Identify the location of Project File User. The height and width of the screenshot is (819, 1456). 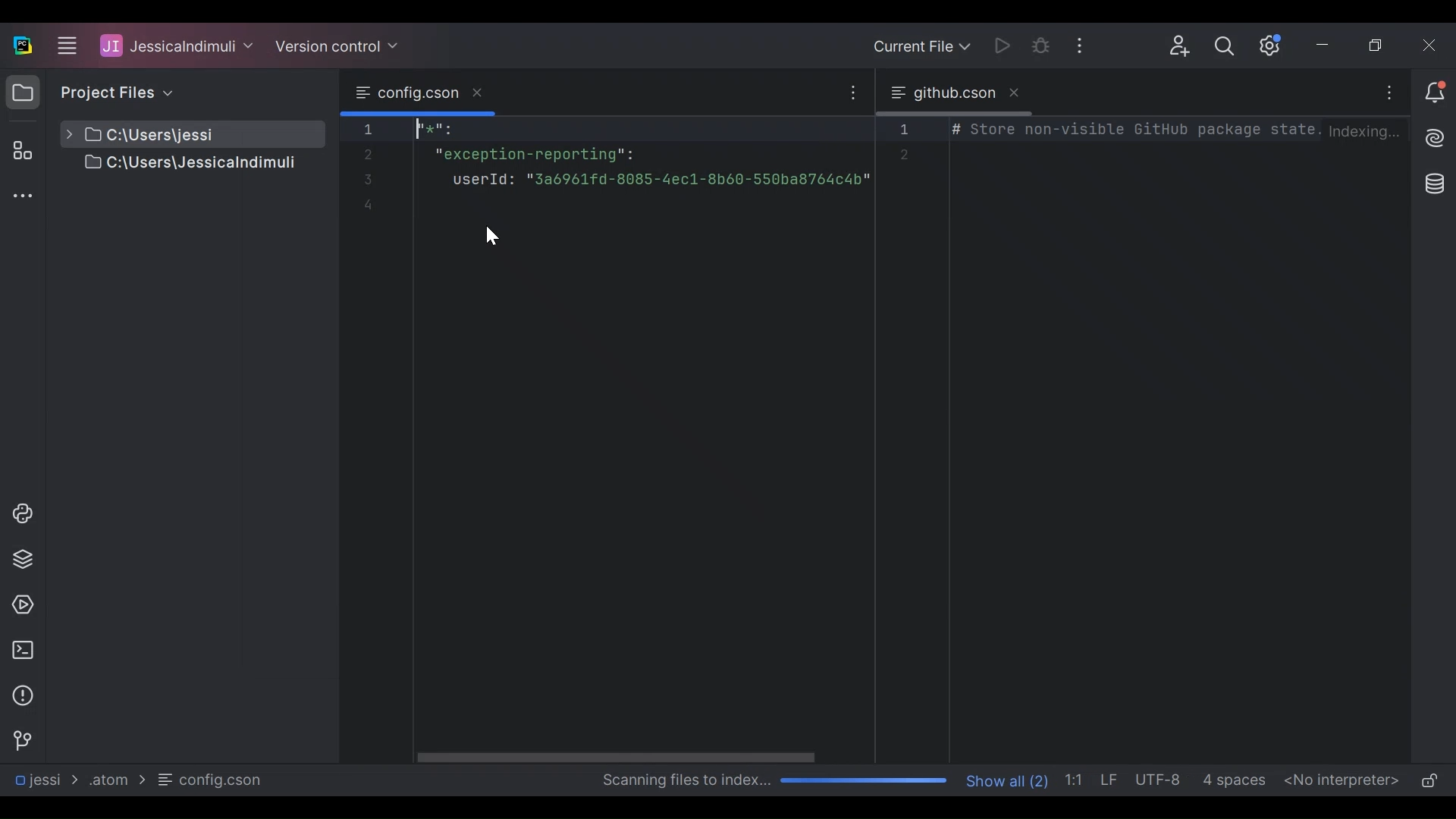
(177, 46).